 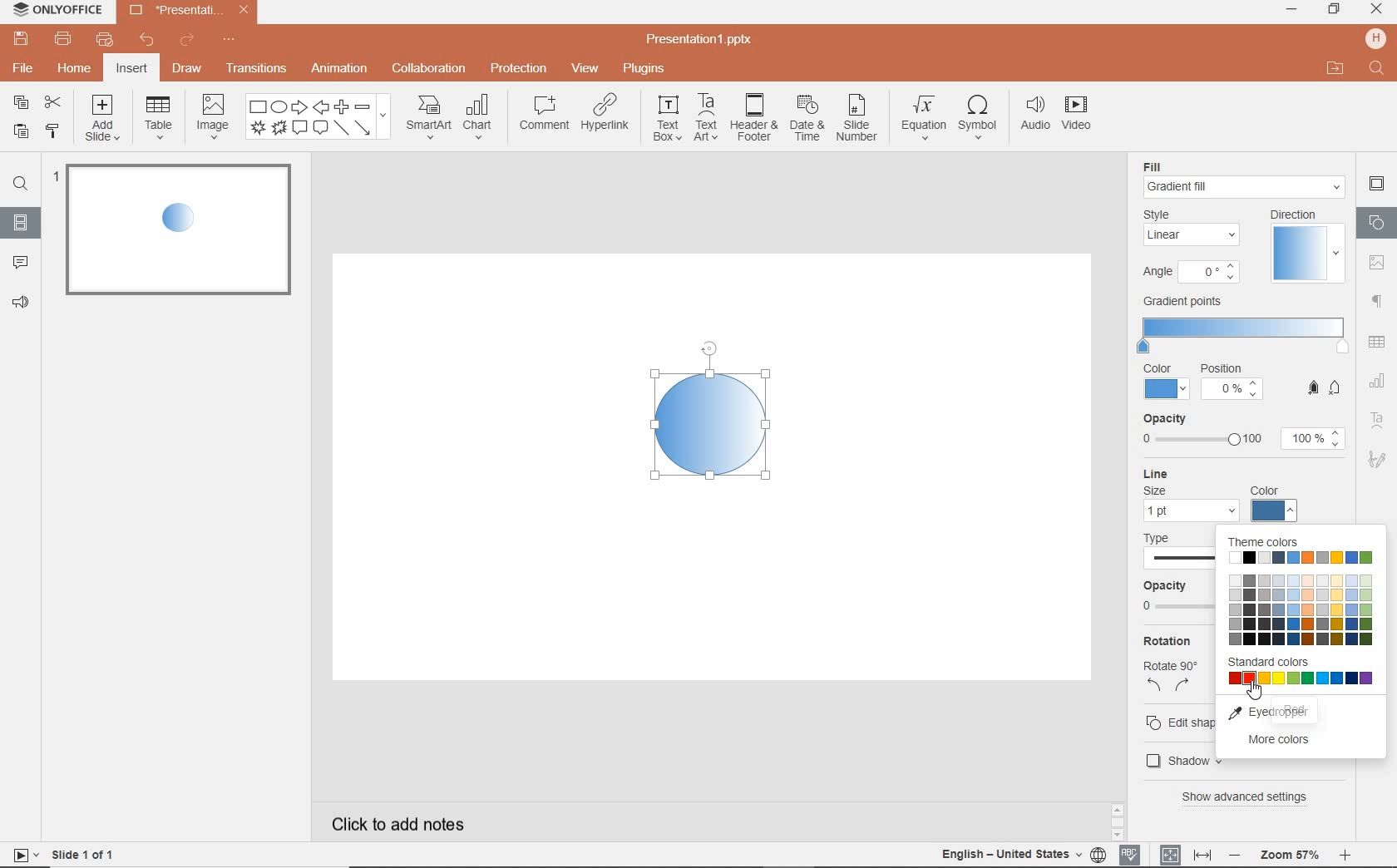 What do you see at coordinates (1179, 719) in the screenshot?
I see `text` at bounding box center [1179, 719].